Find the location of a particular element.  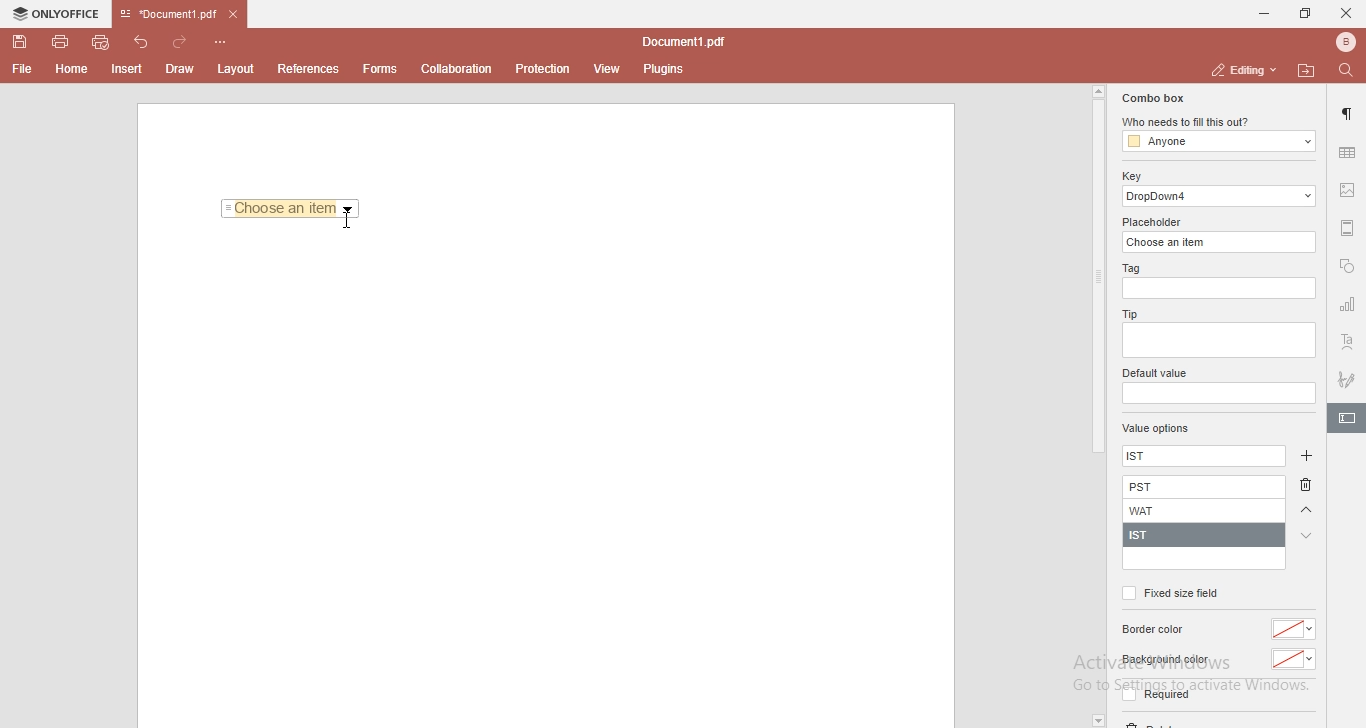

margin is located at coordinates (1348, 226).